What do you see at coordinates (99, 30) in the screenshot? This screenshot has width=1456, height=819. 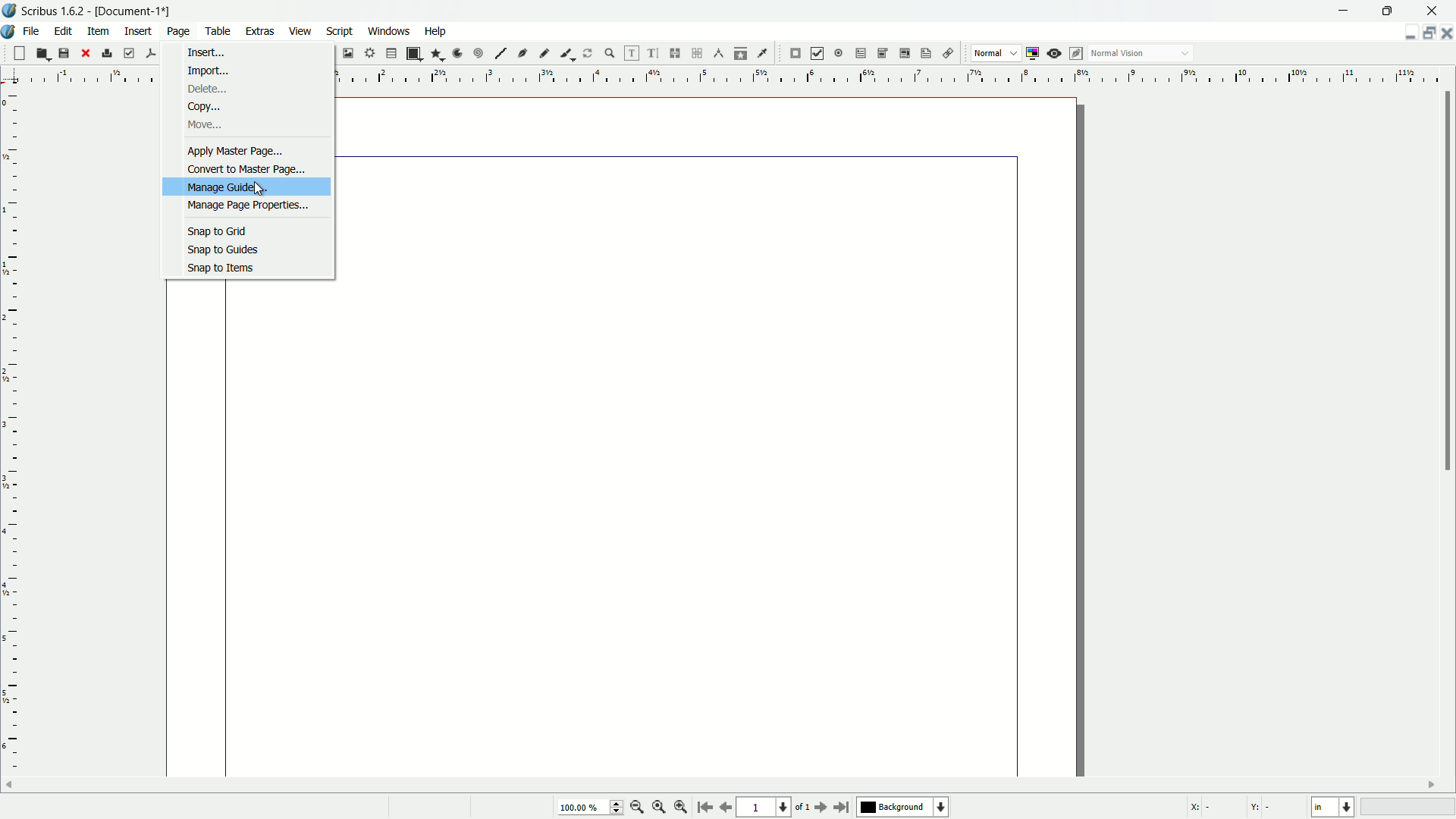 I see `item menu` at bounding box center [99, 30].